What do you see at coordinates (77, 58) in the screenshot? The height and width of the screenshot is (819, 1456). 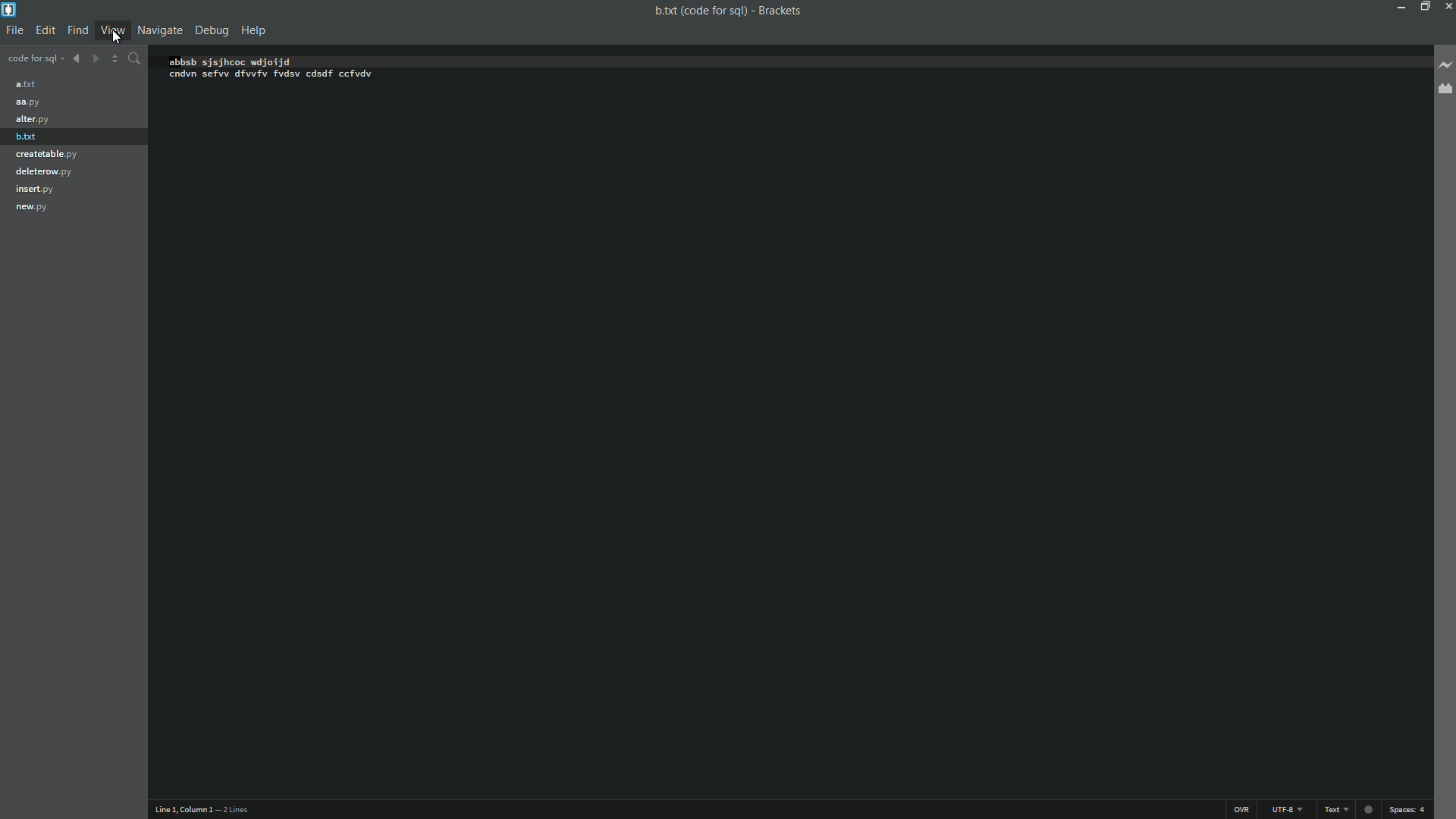 I see `Navigate backward` at bounding box center [77, 58].